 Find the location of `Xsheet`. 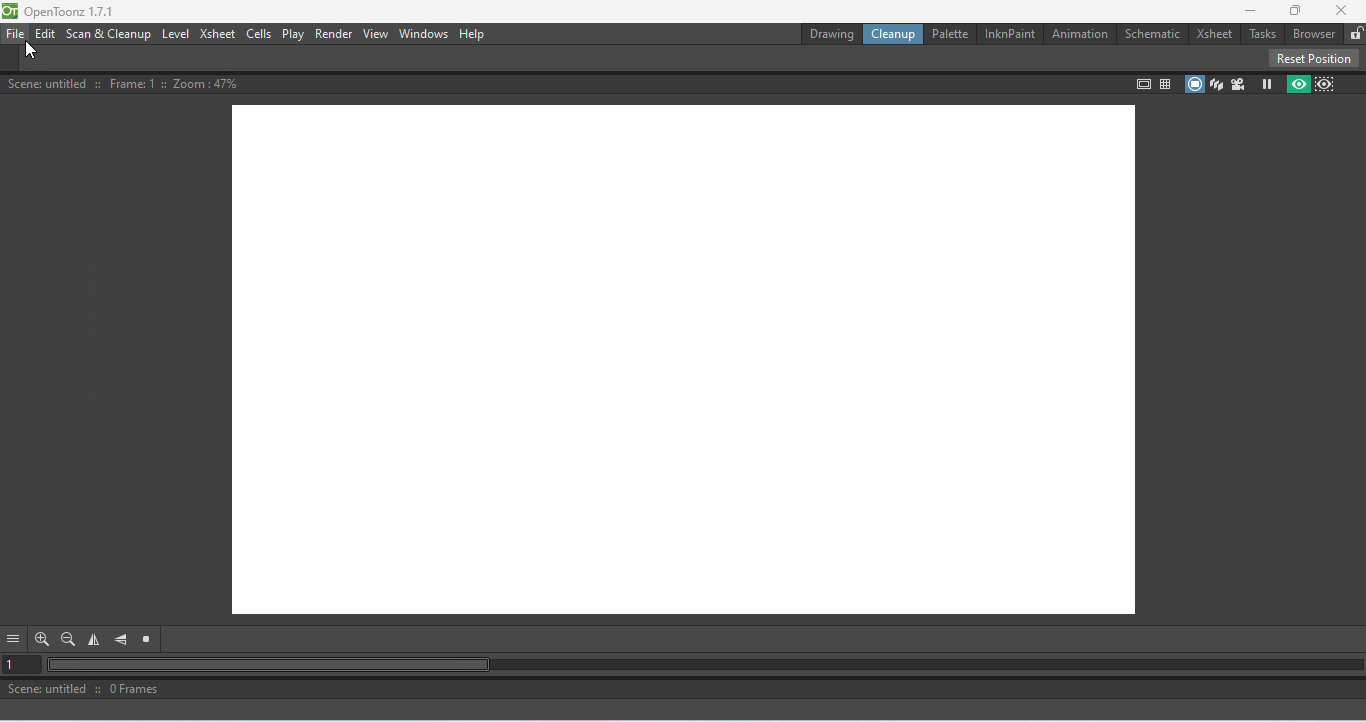

Xsheet is located at coordinates (1213, 32).